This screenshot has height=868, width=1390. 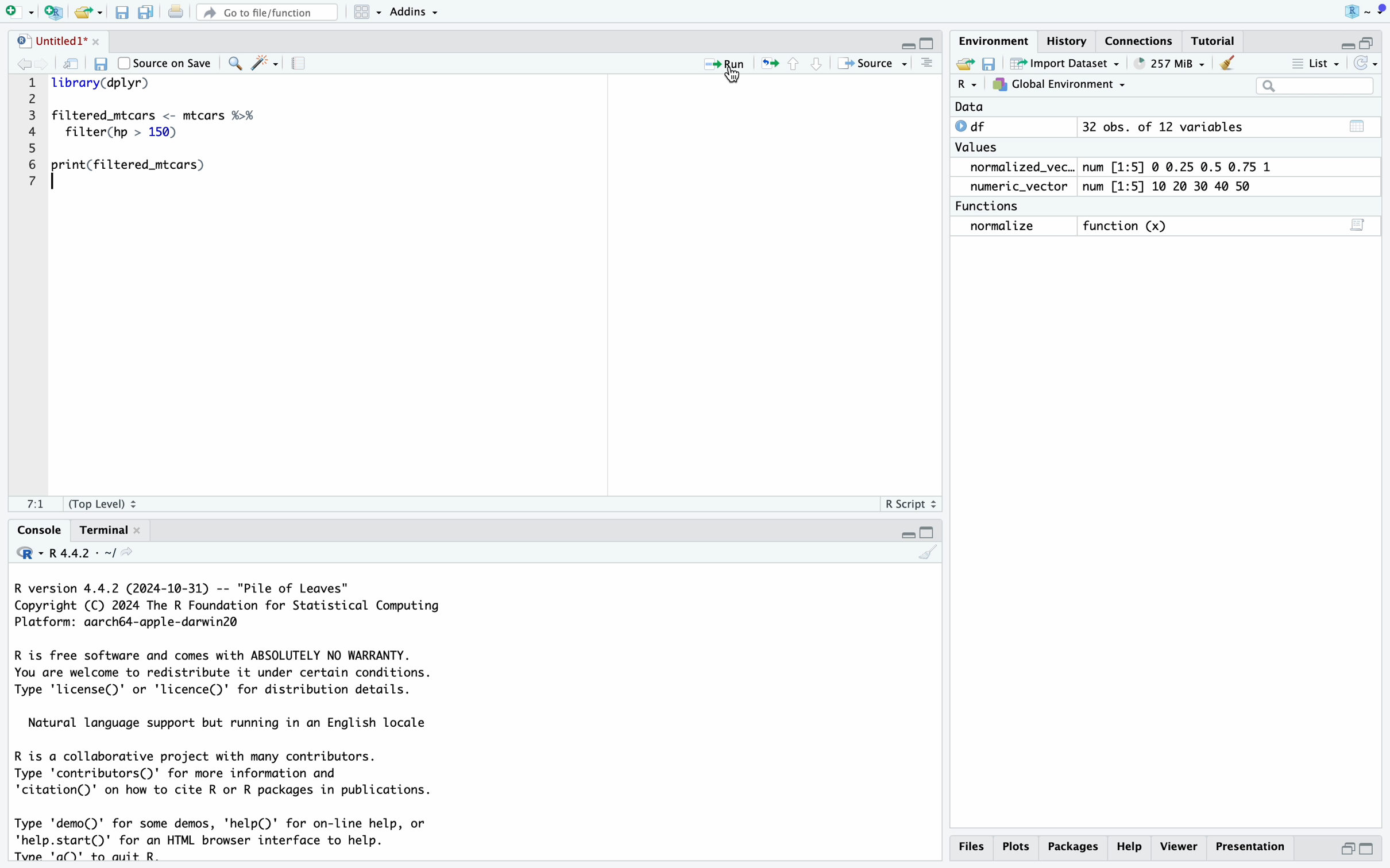 I want to click on find and replace, so click(x=233, y=65).